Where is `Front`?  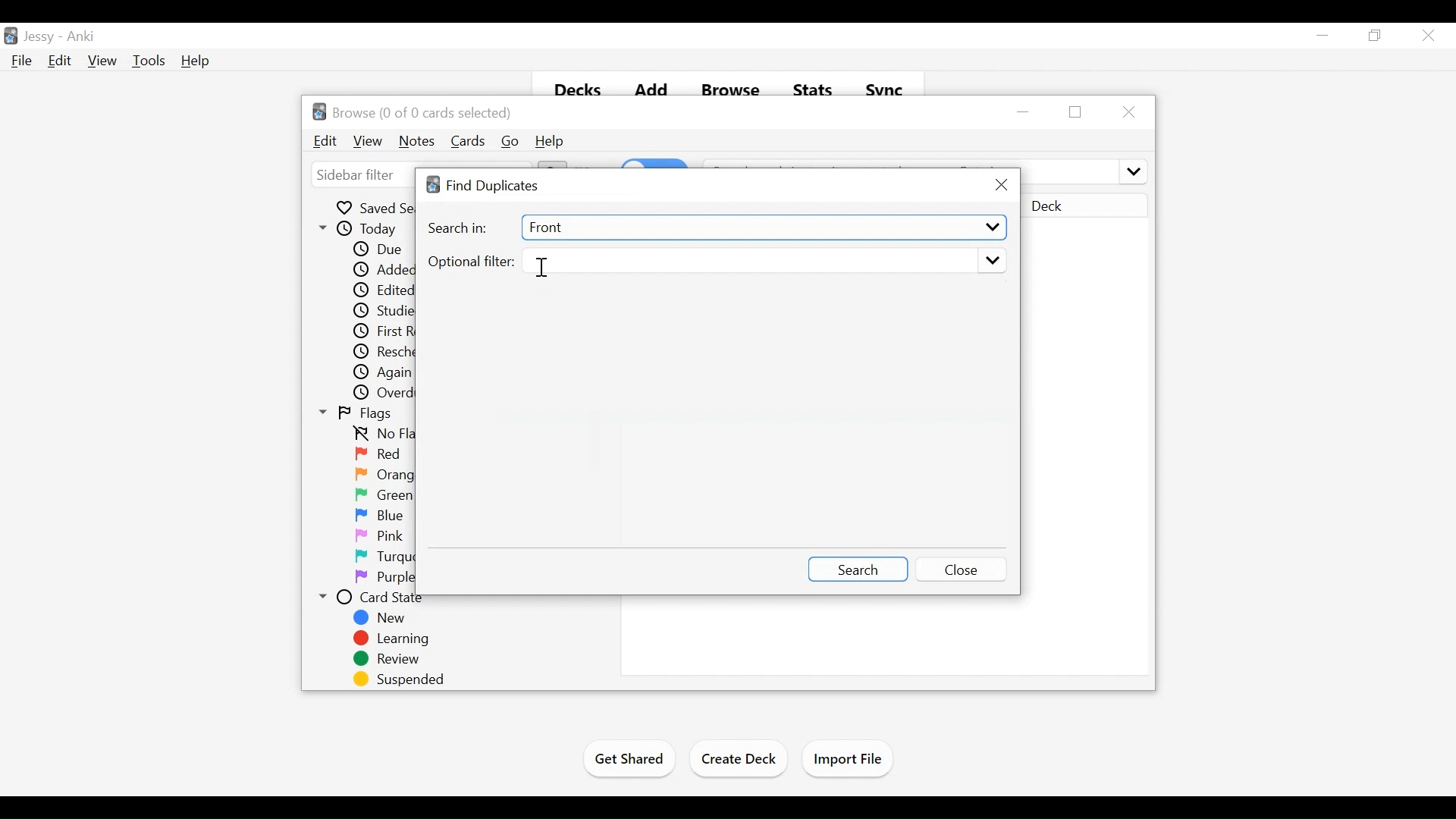 Front is located at coordinates (761, 227).